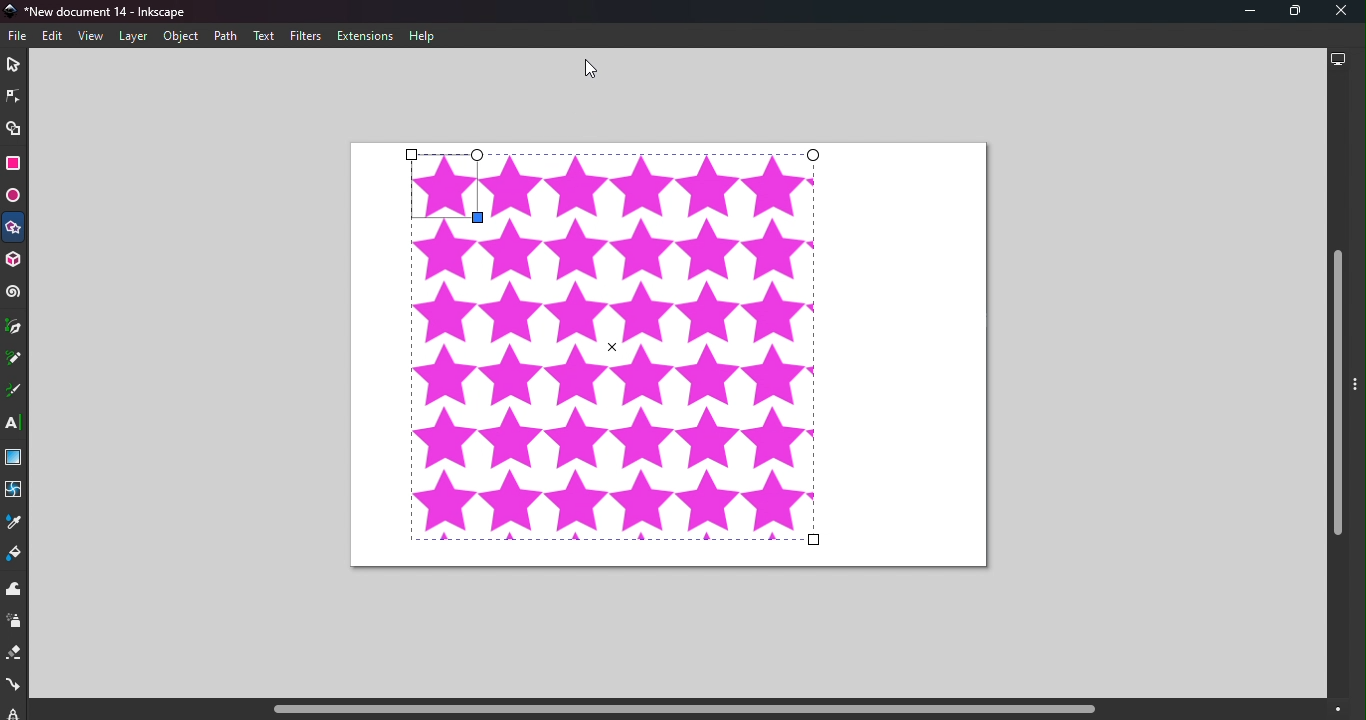 The width and height of the screenshot is (1366, 720). I want to click on Edit, so click(52, 37).